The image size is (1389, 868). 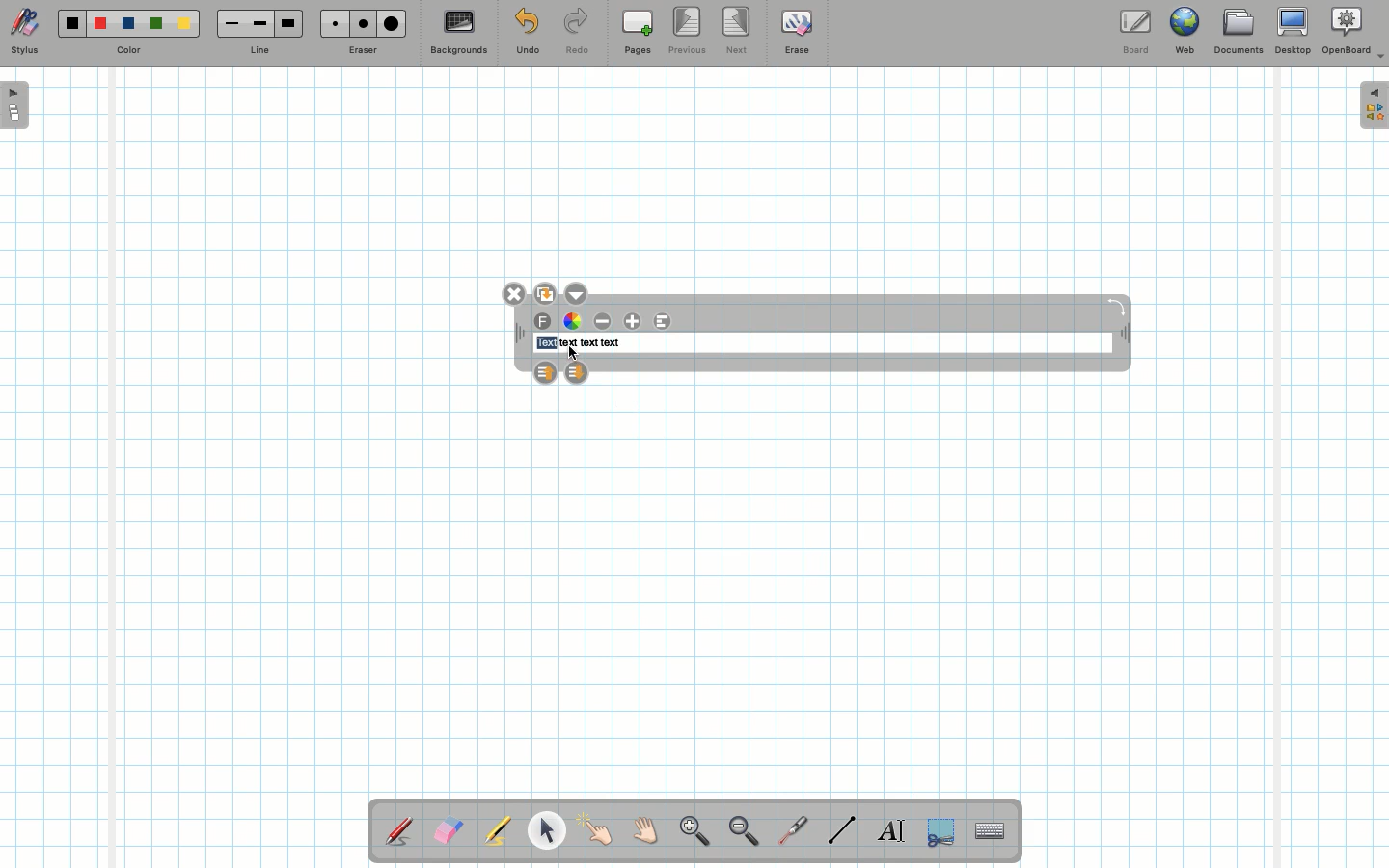 What do you see at coordinates (229, 24) in the screenshot?
I see `Small line` at bounding box center [229, 24].